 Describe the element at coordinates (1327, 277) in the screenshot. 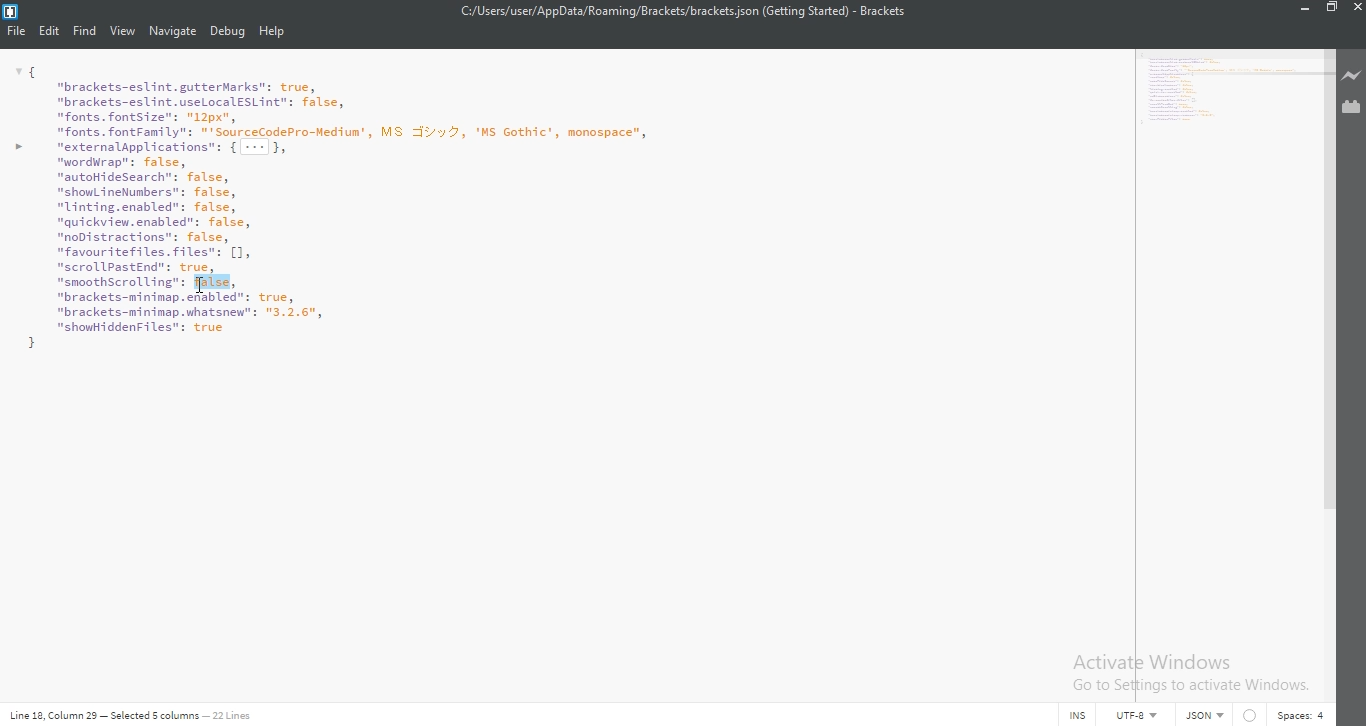

I see `Vertical Scroll bar` at that location.